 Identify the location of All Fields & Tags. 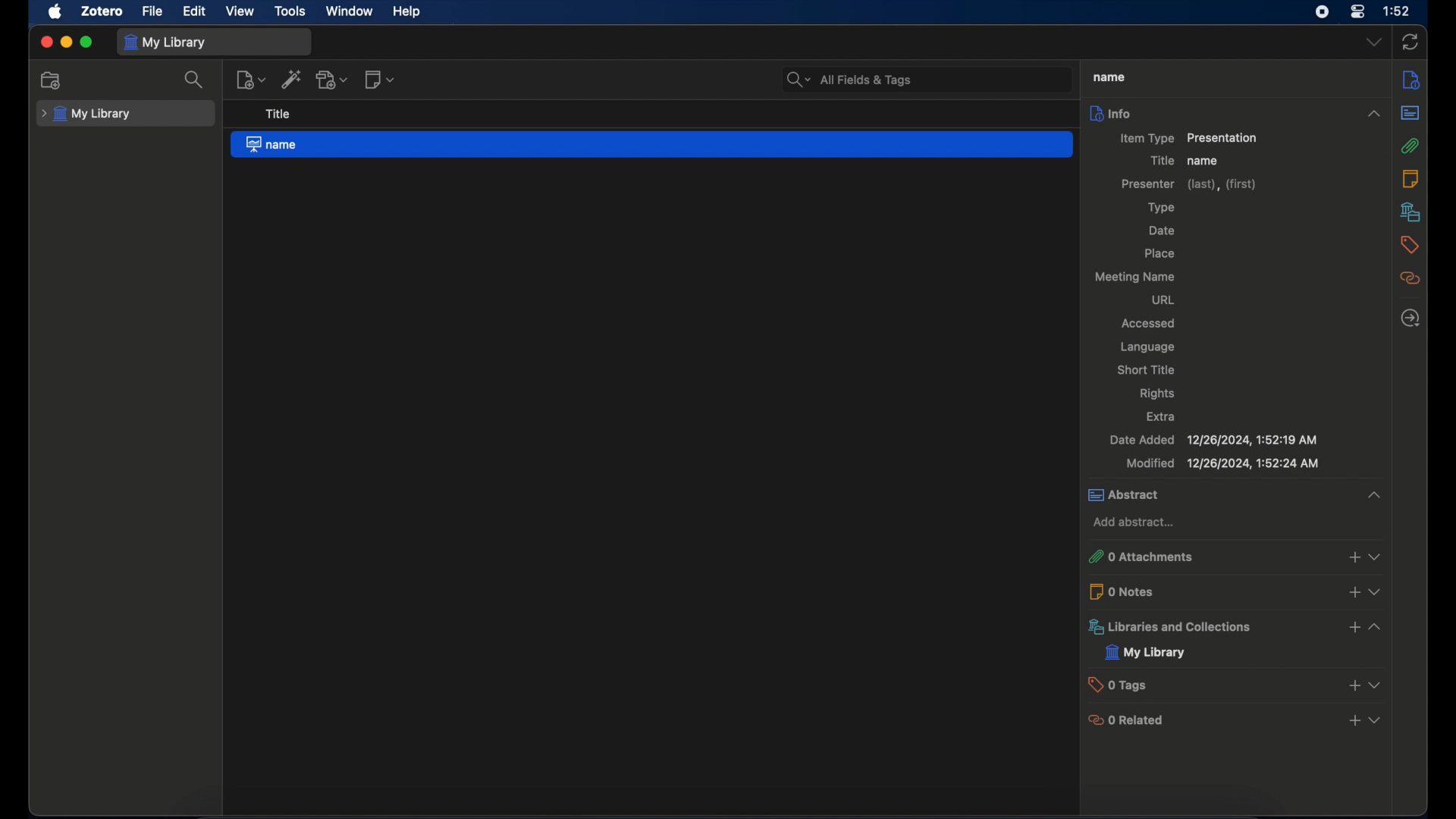
(920, 78).